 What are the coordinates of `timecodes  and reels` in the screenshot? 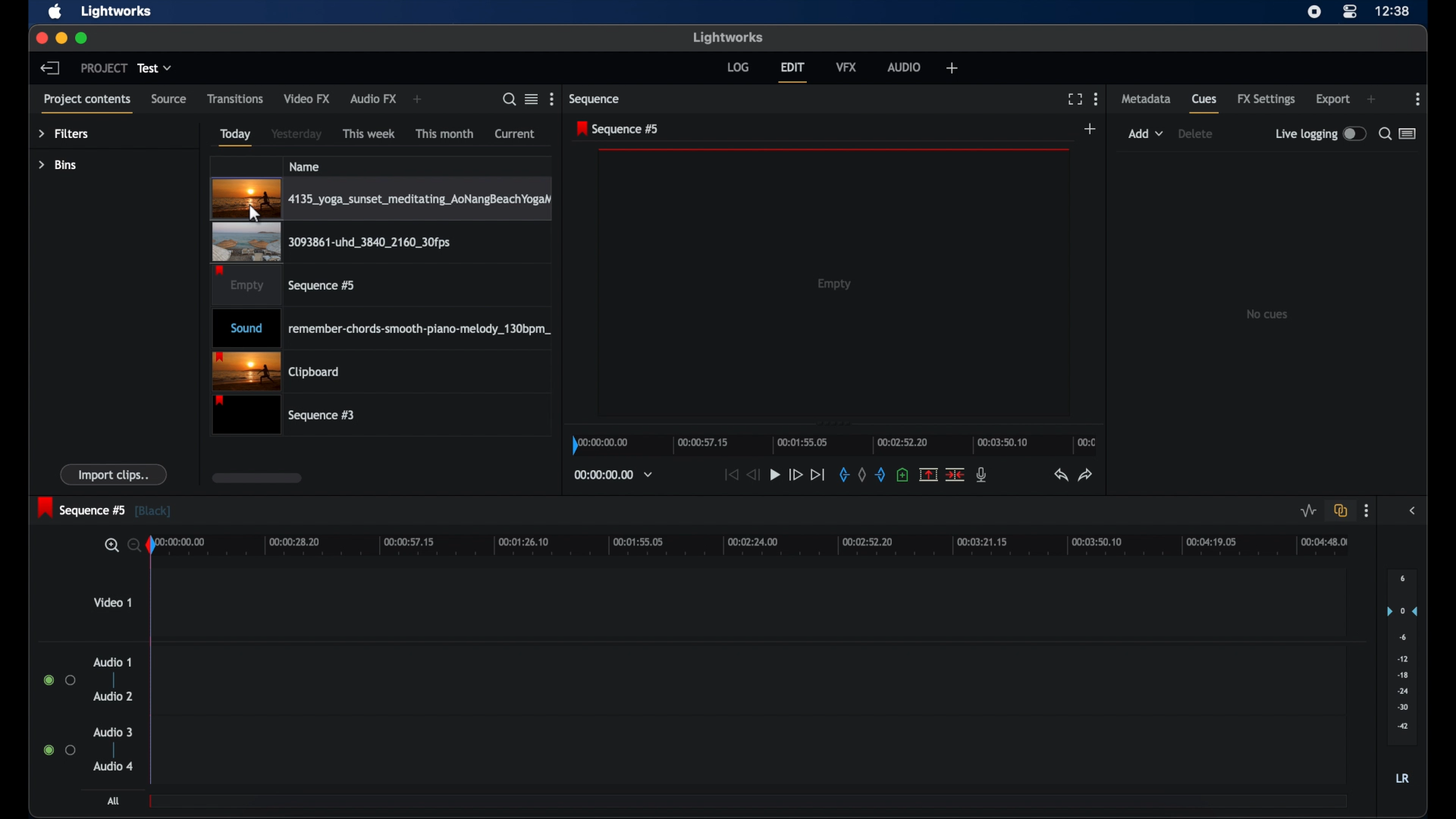 It's located at (614, 475).